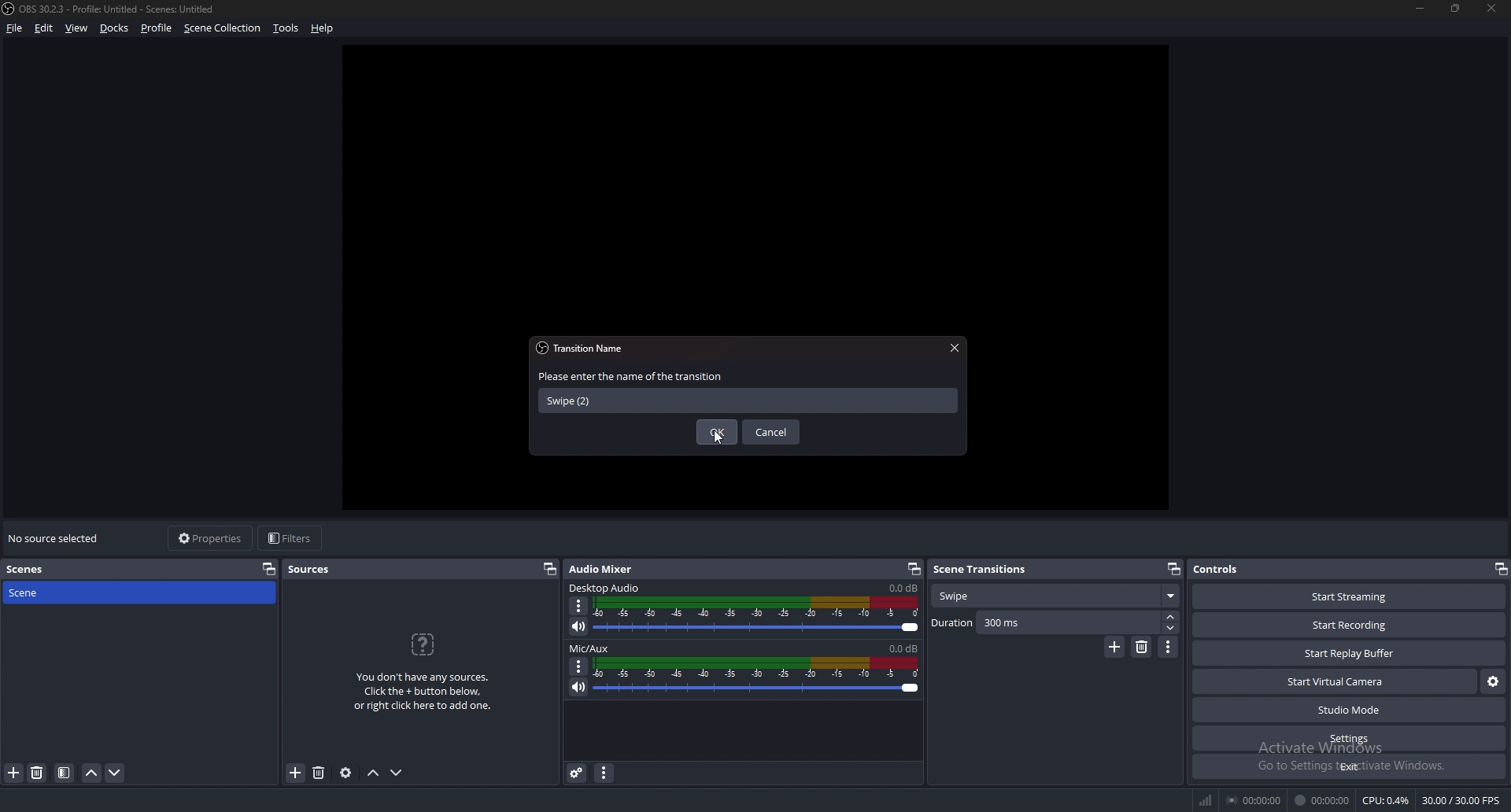  I want to click on pop out, so click(914, 570).